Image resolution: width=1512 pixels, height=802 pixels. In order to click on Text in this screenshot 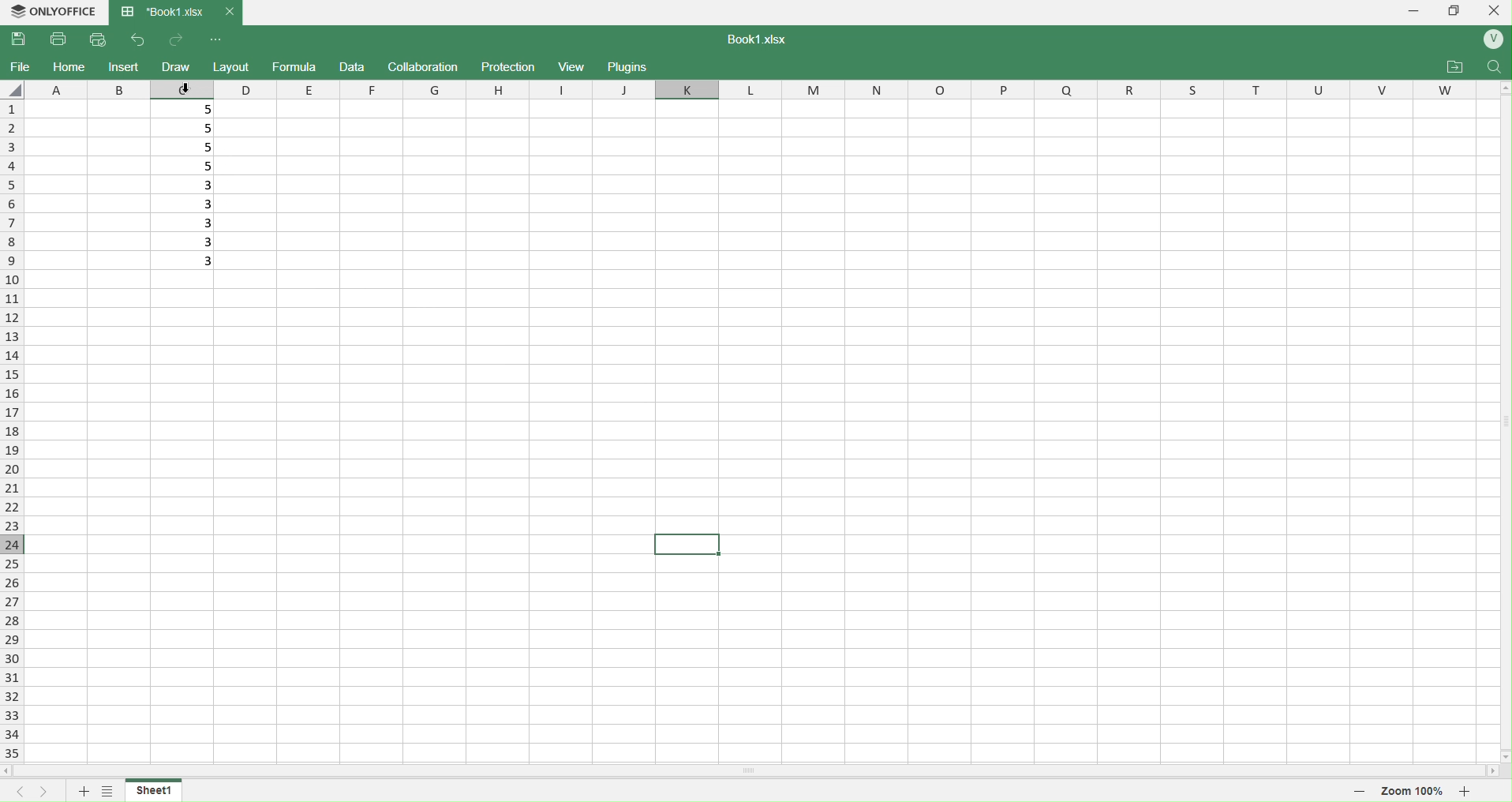, I will do `click(753, 39)`.